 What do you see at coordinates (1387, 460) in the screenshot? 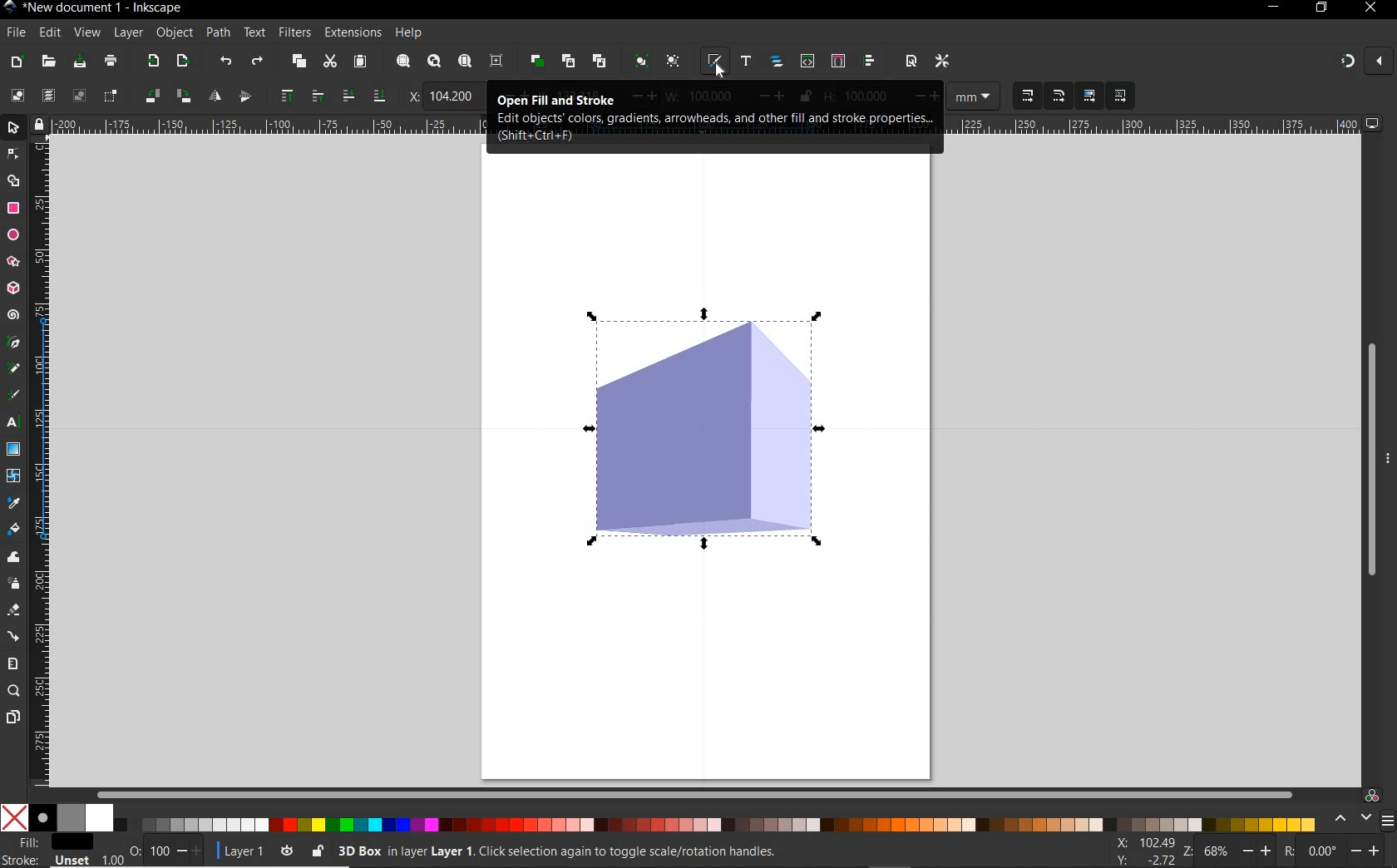
I see `more options` at bounding box center [1387, 460].